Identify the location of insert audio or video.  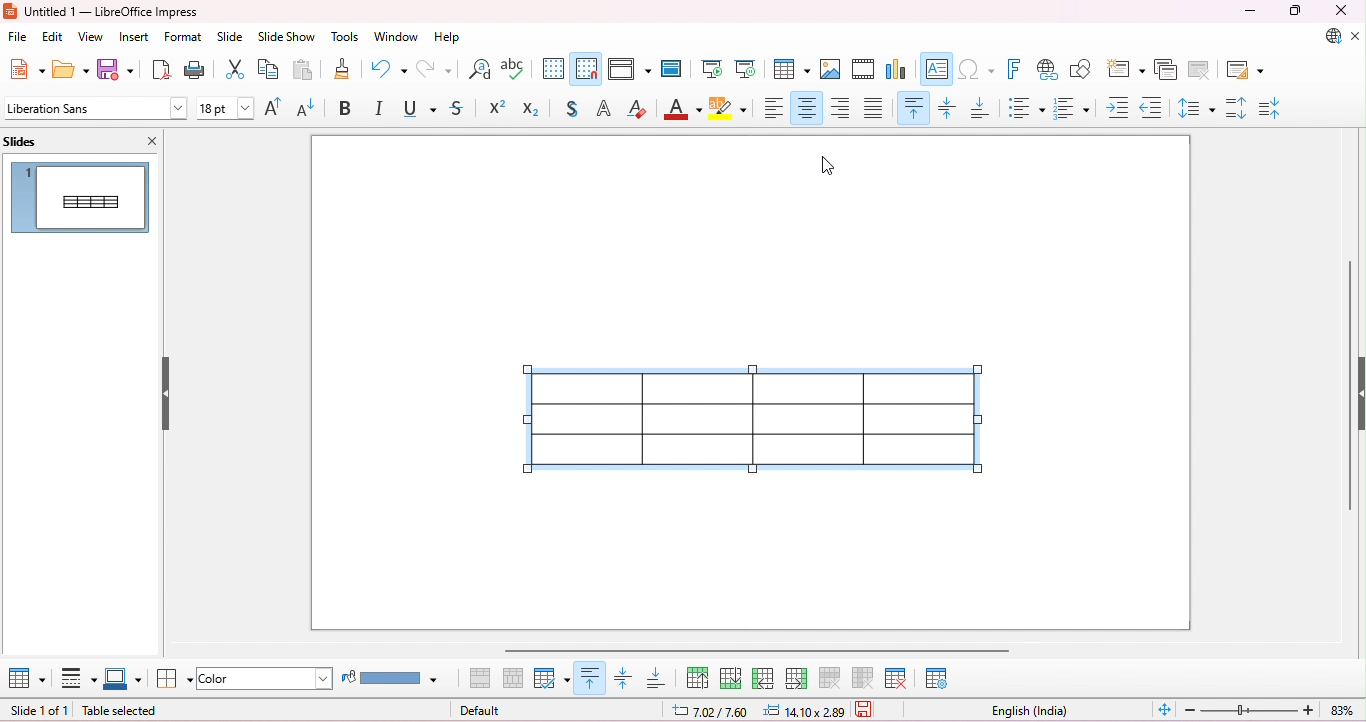
(863, 70).